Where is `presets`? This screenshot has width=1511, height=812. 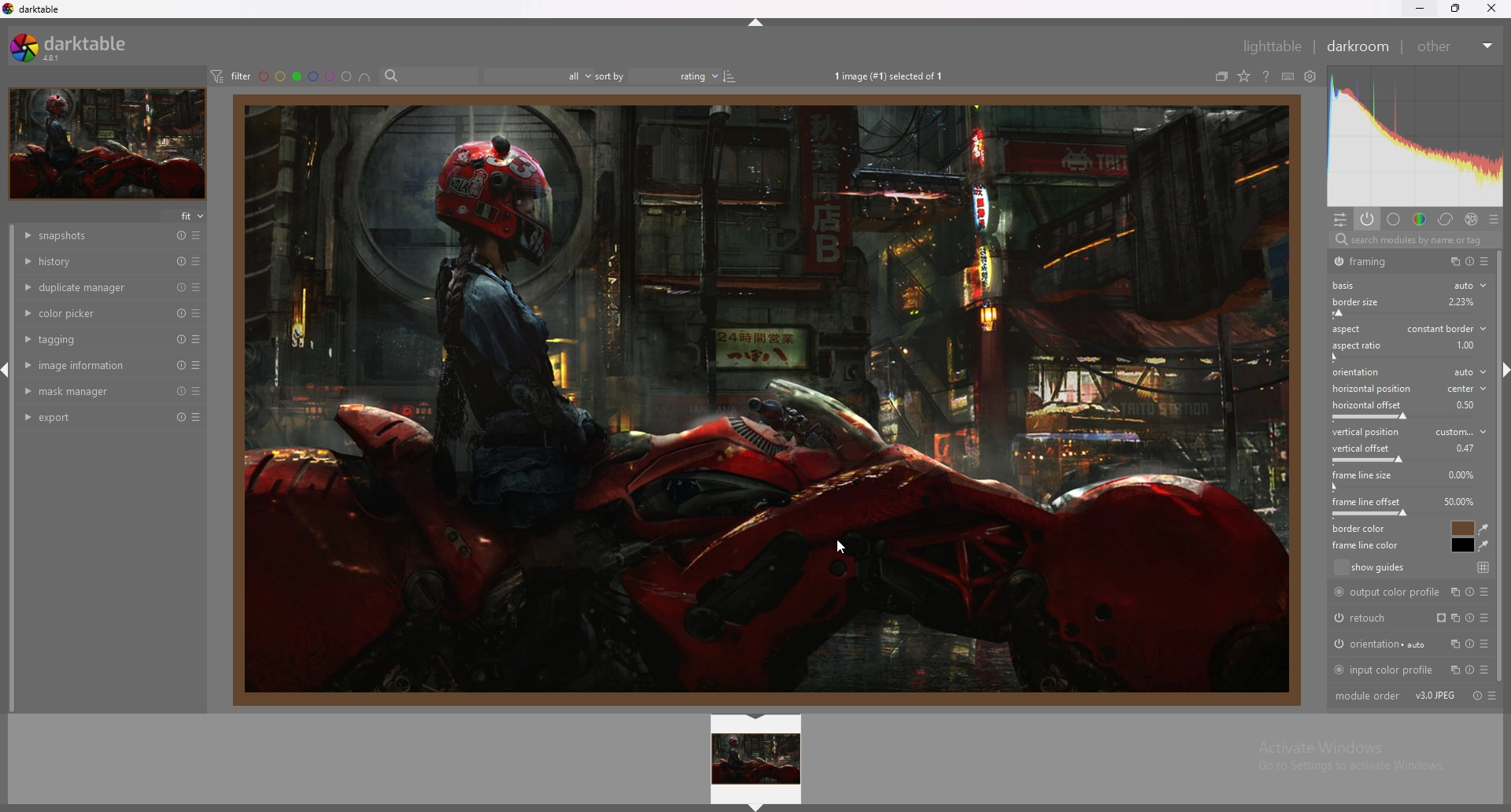 presets is located at coordinates (198, 313).